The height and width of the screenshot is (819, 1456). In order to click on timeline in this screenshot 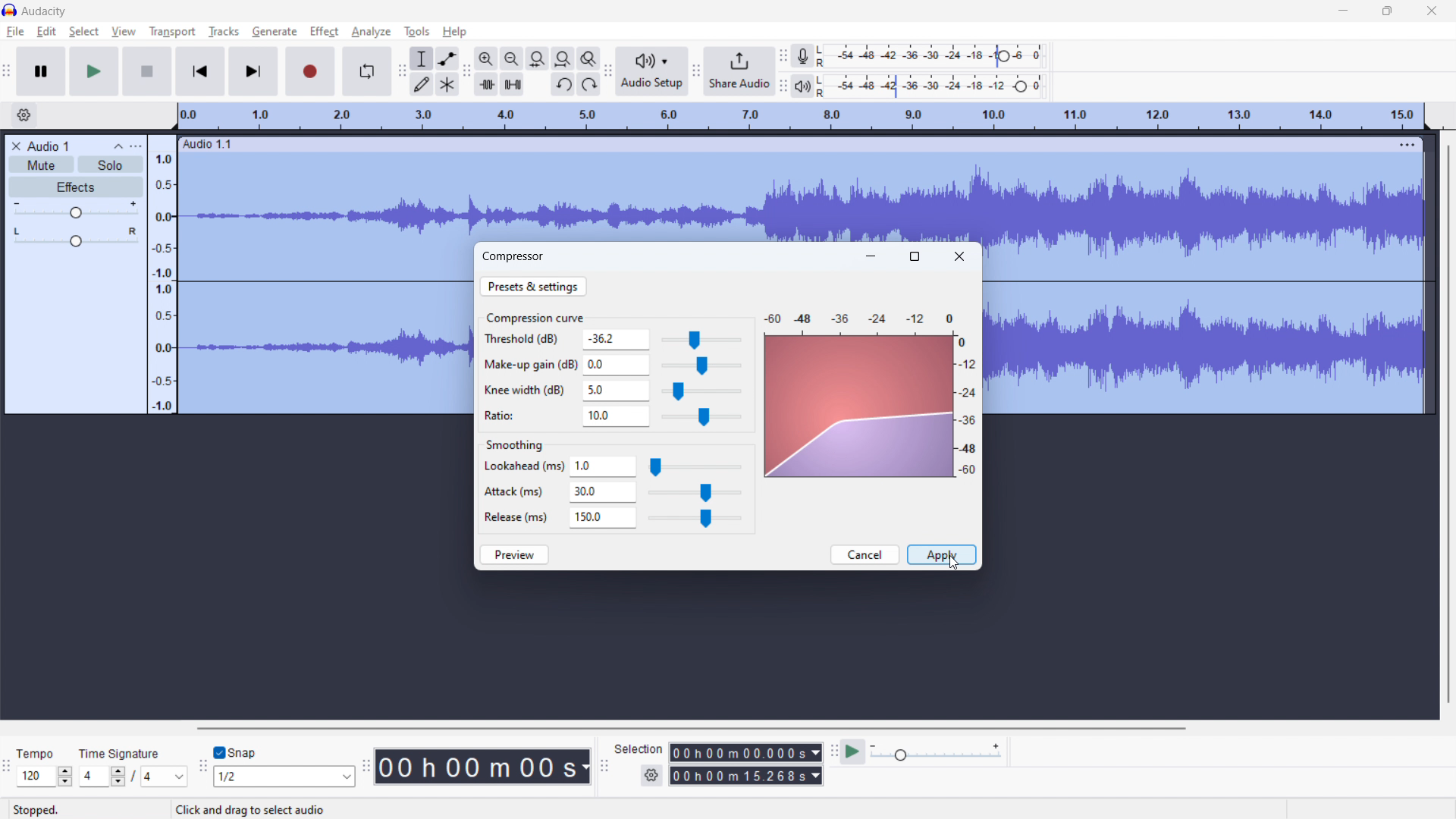, I will do `click(800, 117)`.